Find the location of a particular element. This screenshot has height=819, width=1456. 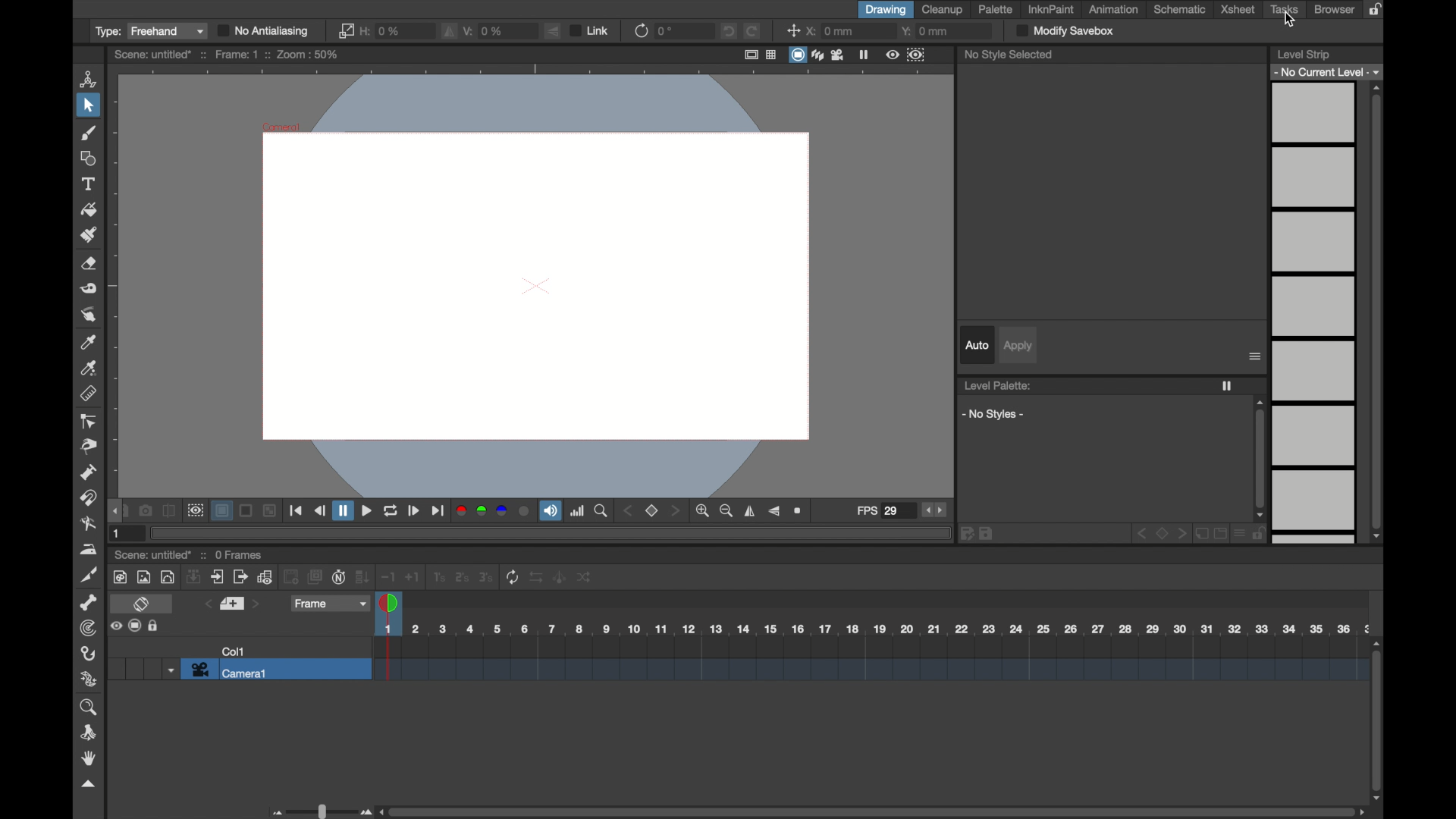

inknpaint is located at coordinates (1051, 10).